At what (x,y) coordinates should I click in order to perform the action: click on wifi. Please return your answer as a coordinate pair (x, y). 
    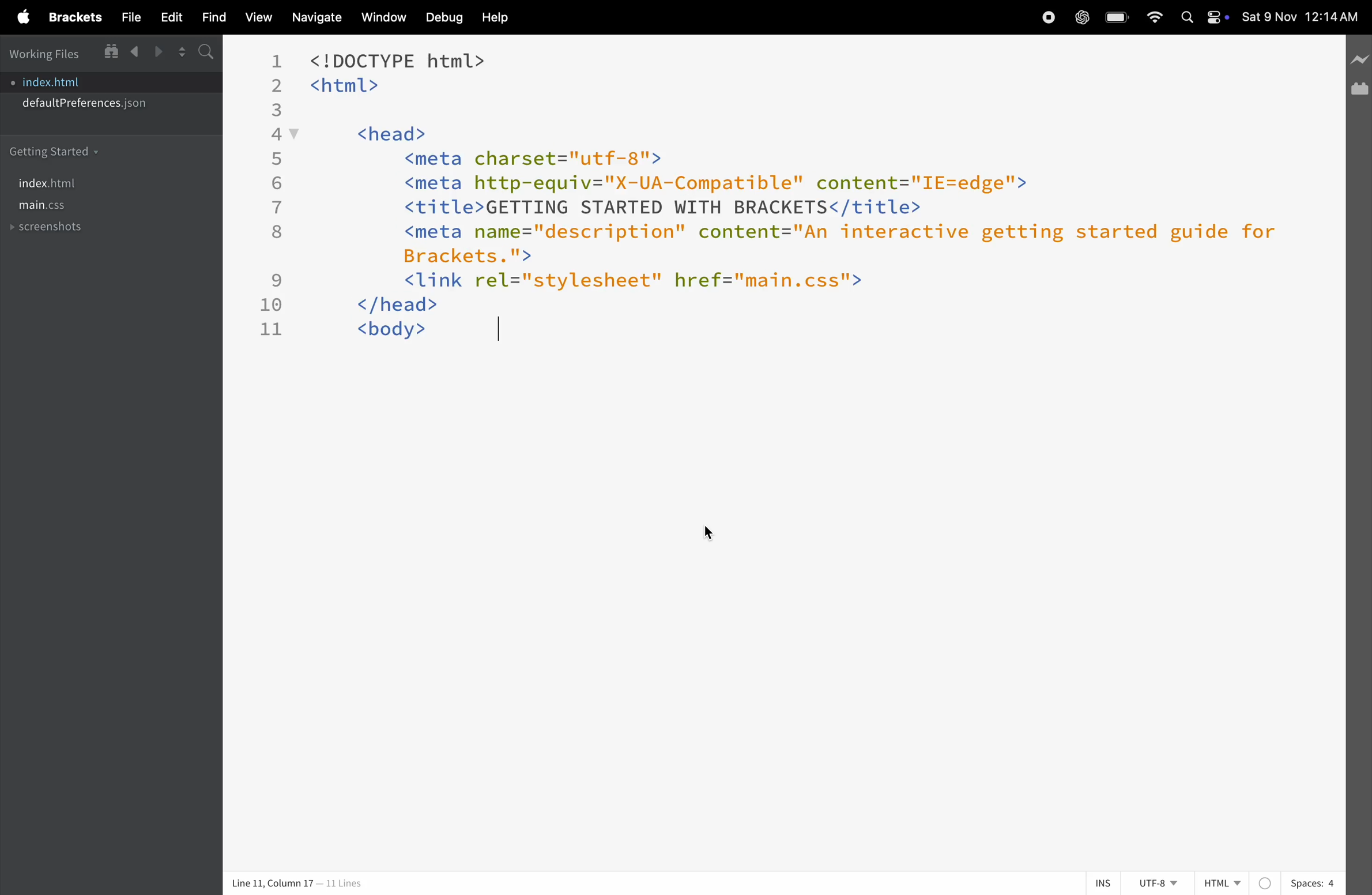
    Looking at the image, I should click on (1153, 18).